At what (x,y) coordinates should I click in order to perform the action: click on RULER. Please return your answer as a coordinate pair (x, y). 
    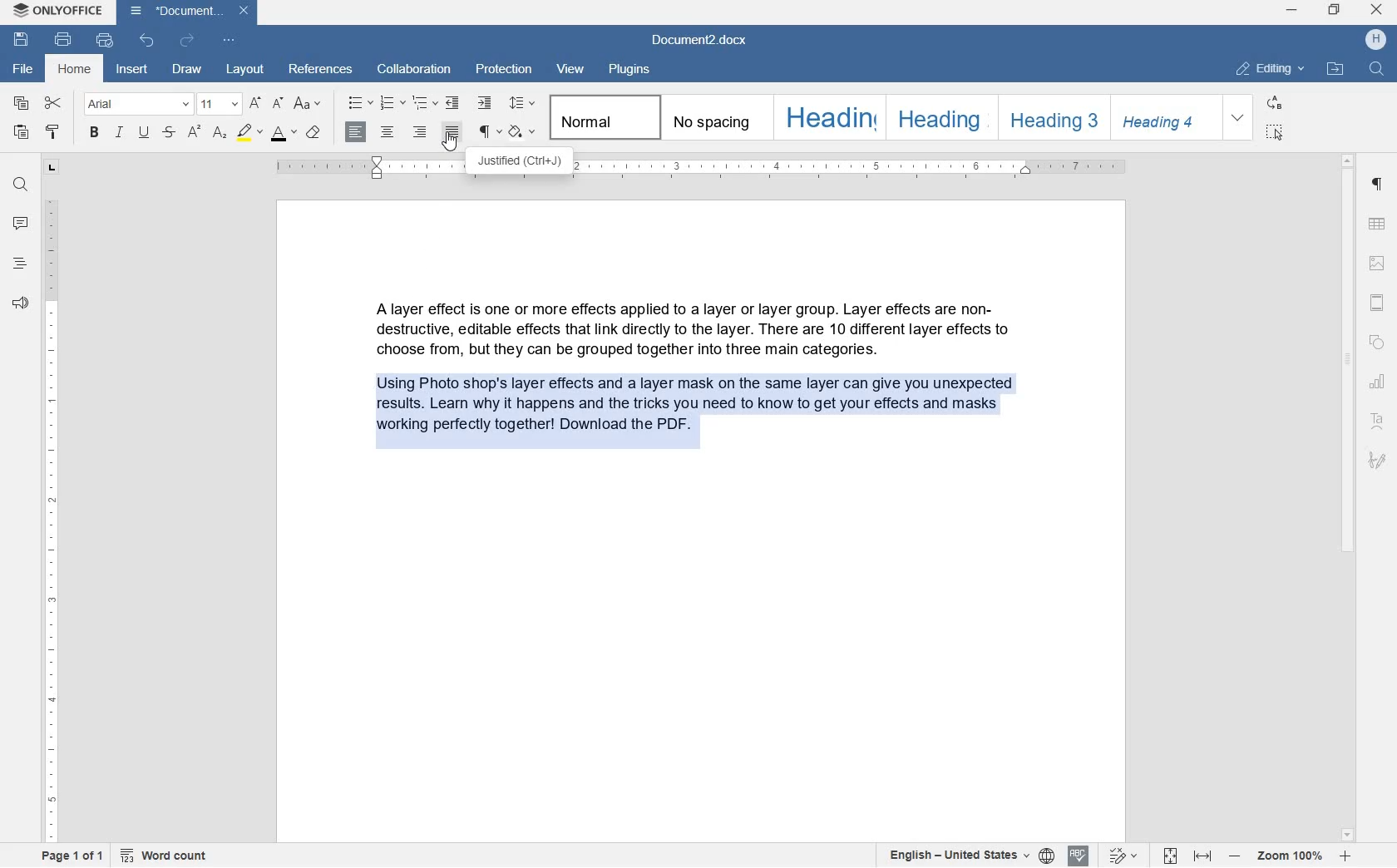
    Looking at the image, I should click on (860, 173).